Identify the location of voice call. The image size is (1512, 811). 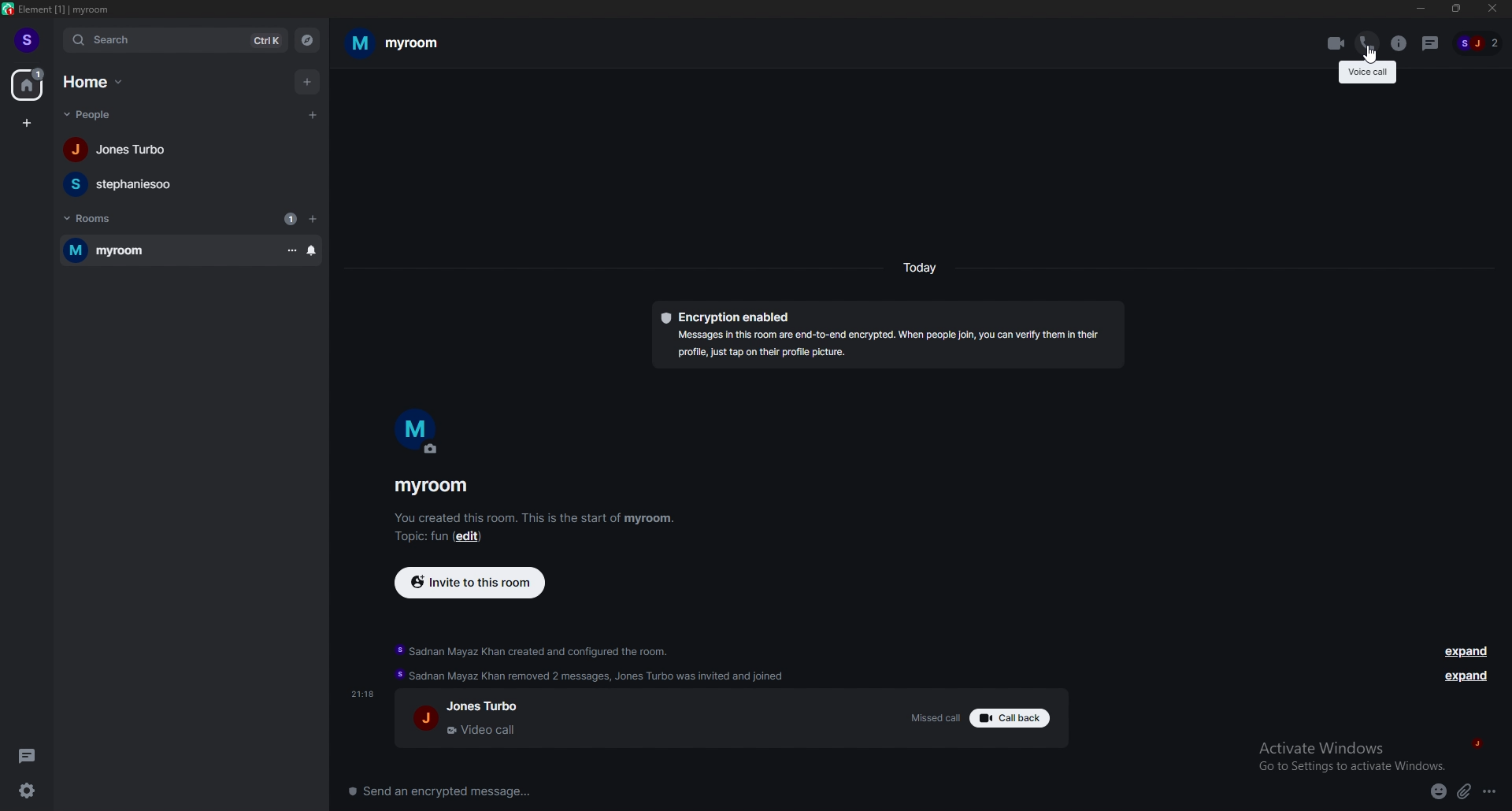
(1367, 39).